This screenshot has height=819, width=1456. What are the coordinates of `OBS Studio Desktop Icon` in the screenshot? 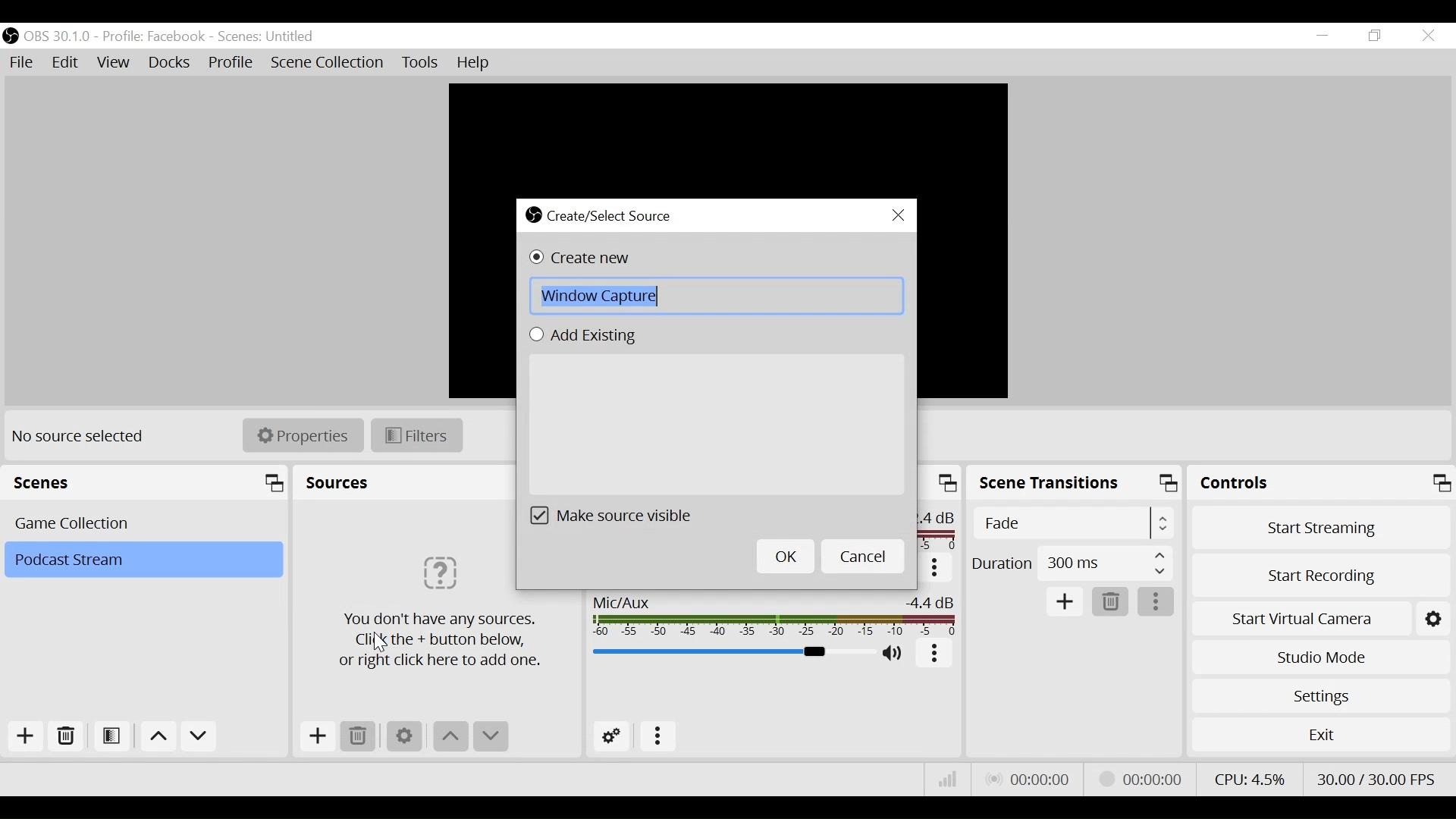 It's located at (11, 36).